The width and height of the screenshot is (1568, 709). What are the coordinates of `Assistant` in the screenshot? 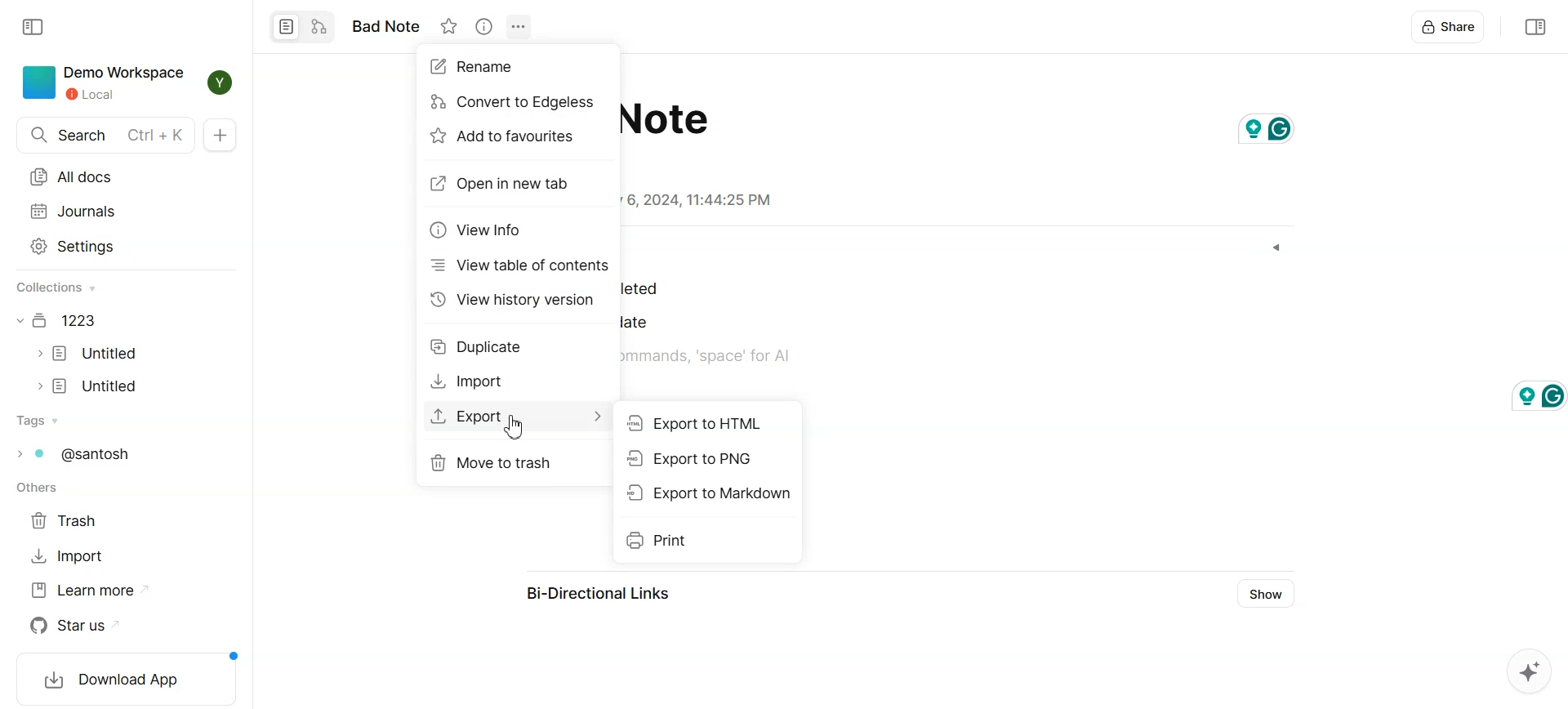 It's located at (1528, 671).